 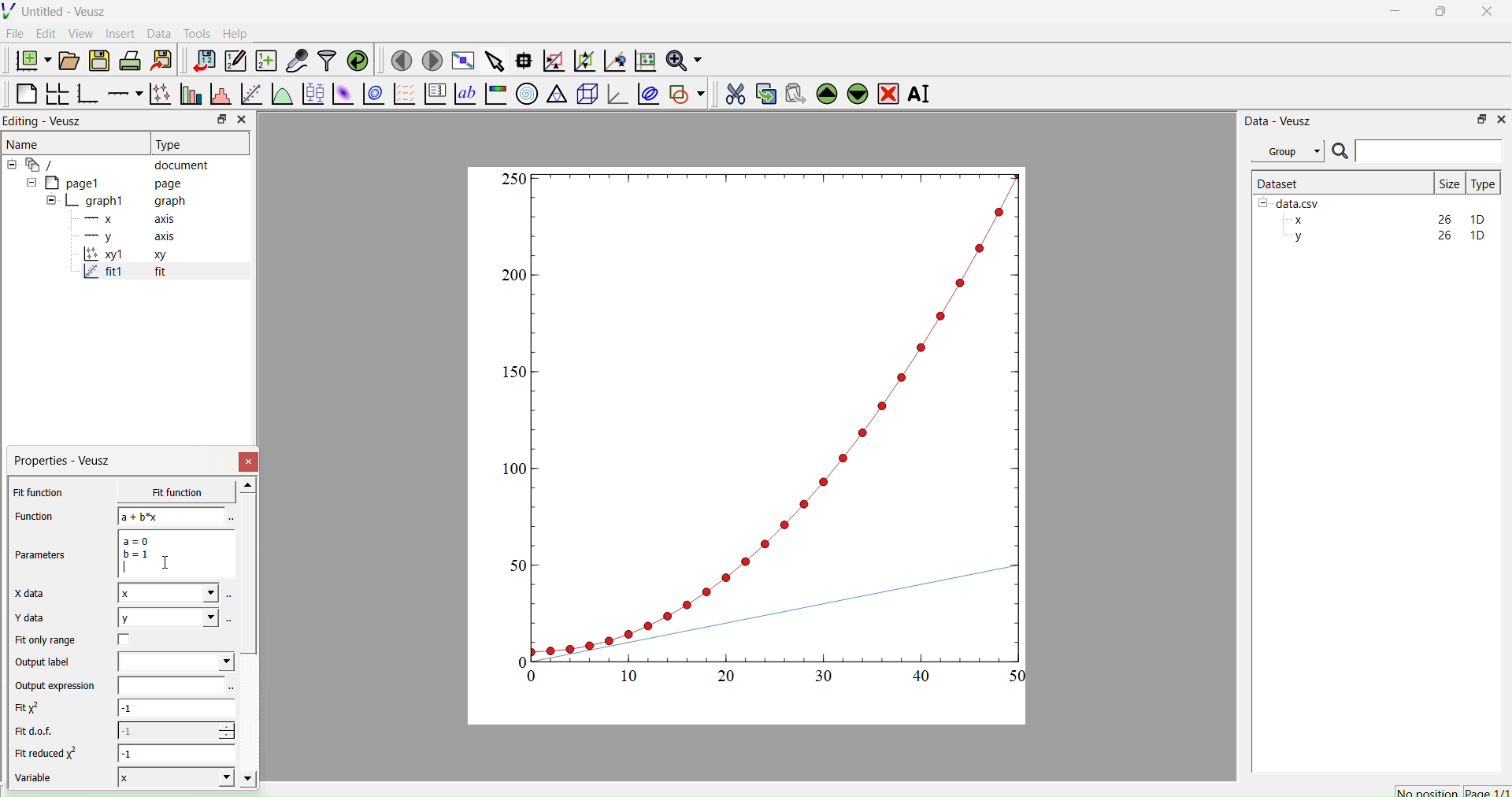 What do you see at coordinates (158, 34) in the screenshot?
I see `Data` at bounding box center [158, 34].